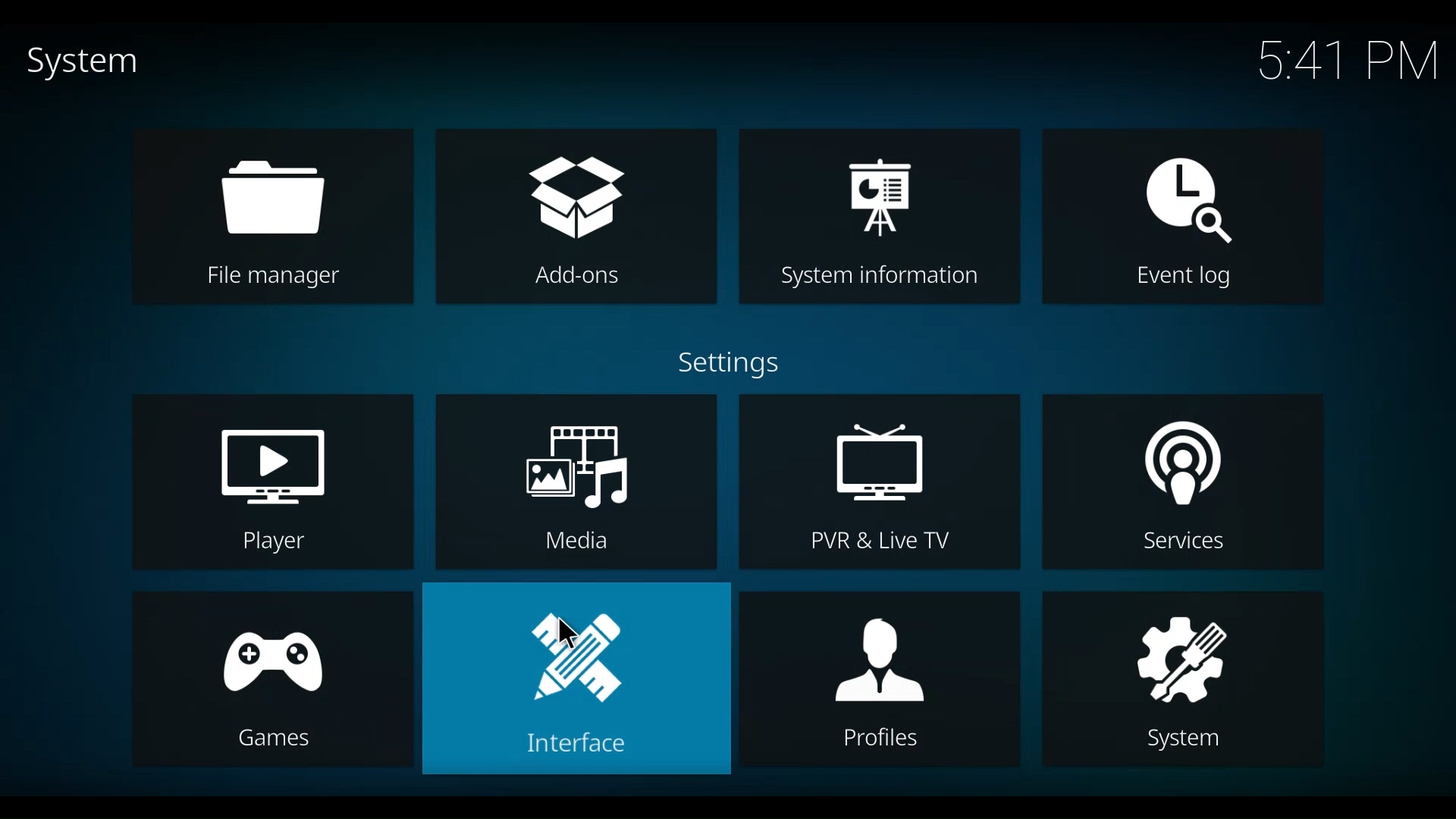 The image size is (1456, 819). What do you see at coordinates (1182, 482) in the screenshot?
I see `Services` at bounding box center [1182, 482].